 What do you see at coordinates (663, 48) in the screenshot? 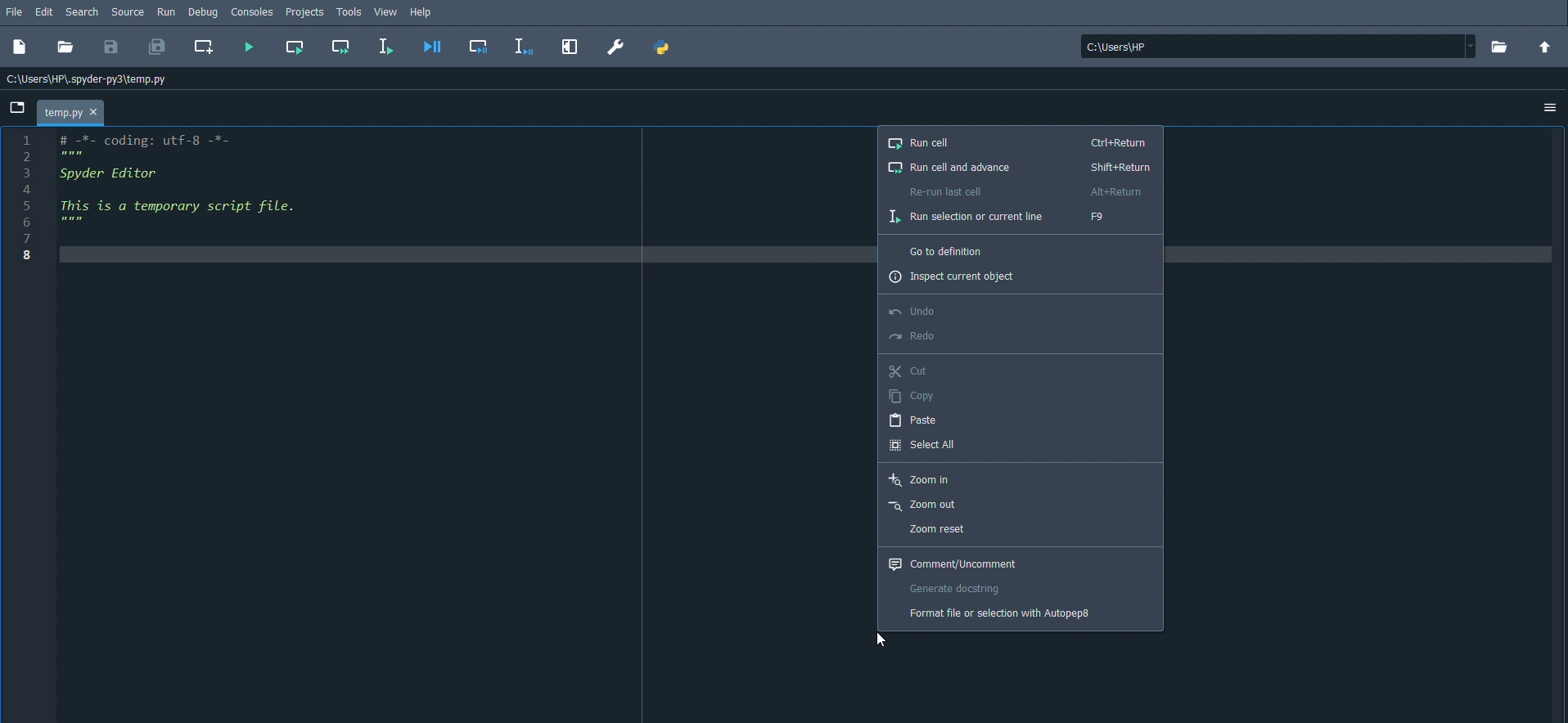
I see `PYTHONPATH manager` at bounding box center [663, 48].